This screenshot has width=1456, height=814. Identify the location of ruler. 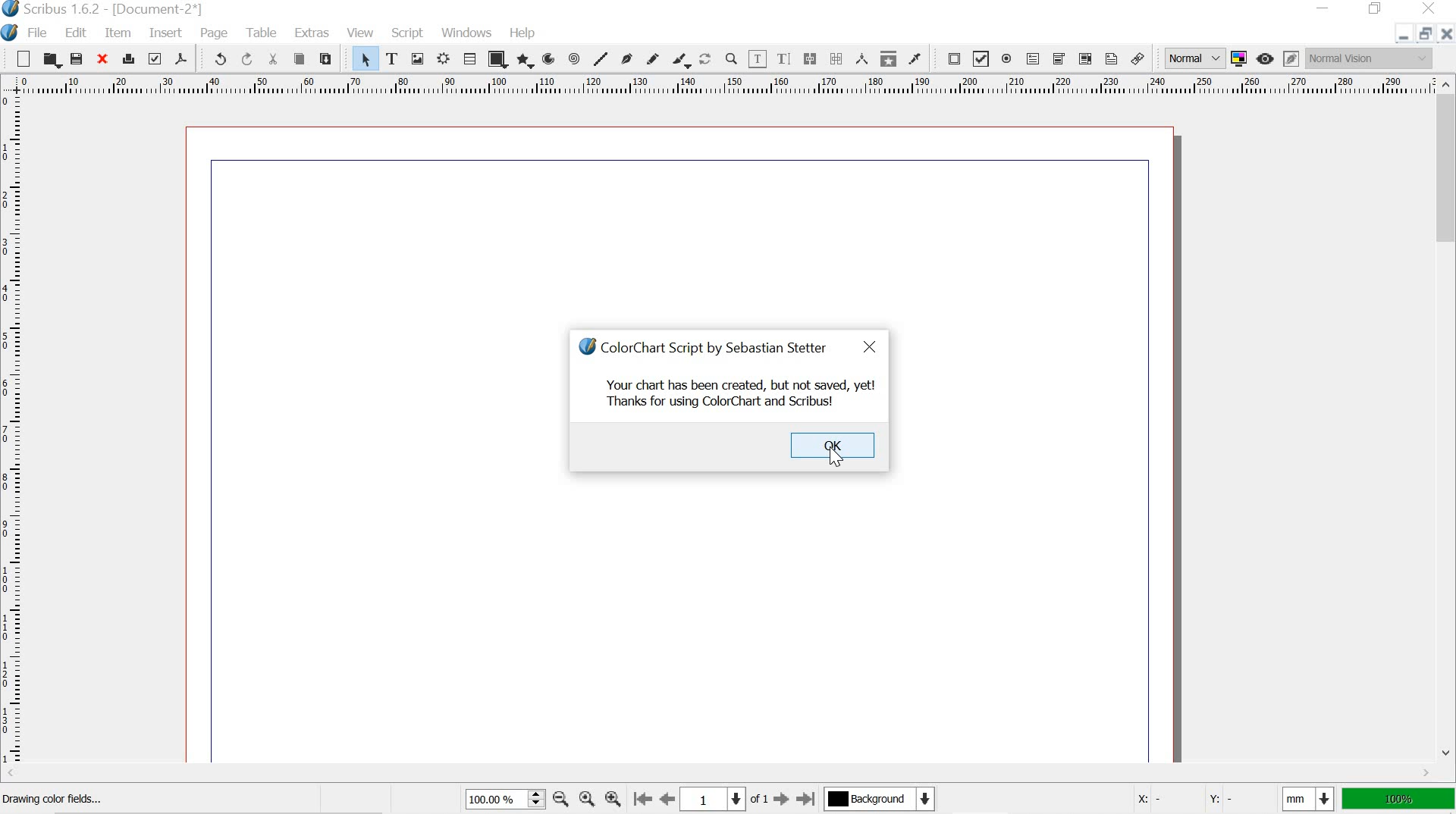
(715, 86).